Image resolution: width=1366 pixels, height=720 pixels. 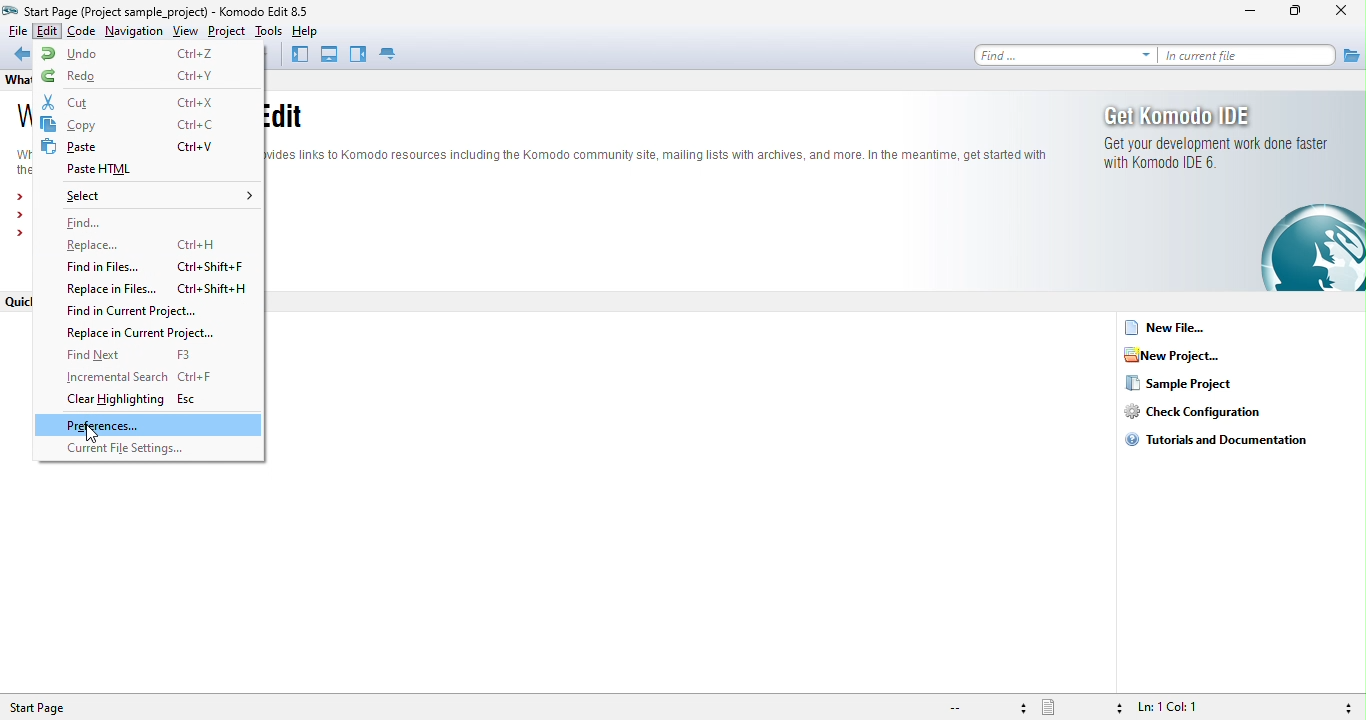 What do you see at coordinates (159, 196) in the screenshot?
I see `select` at bounding box center [159, 196].